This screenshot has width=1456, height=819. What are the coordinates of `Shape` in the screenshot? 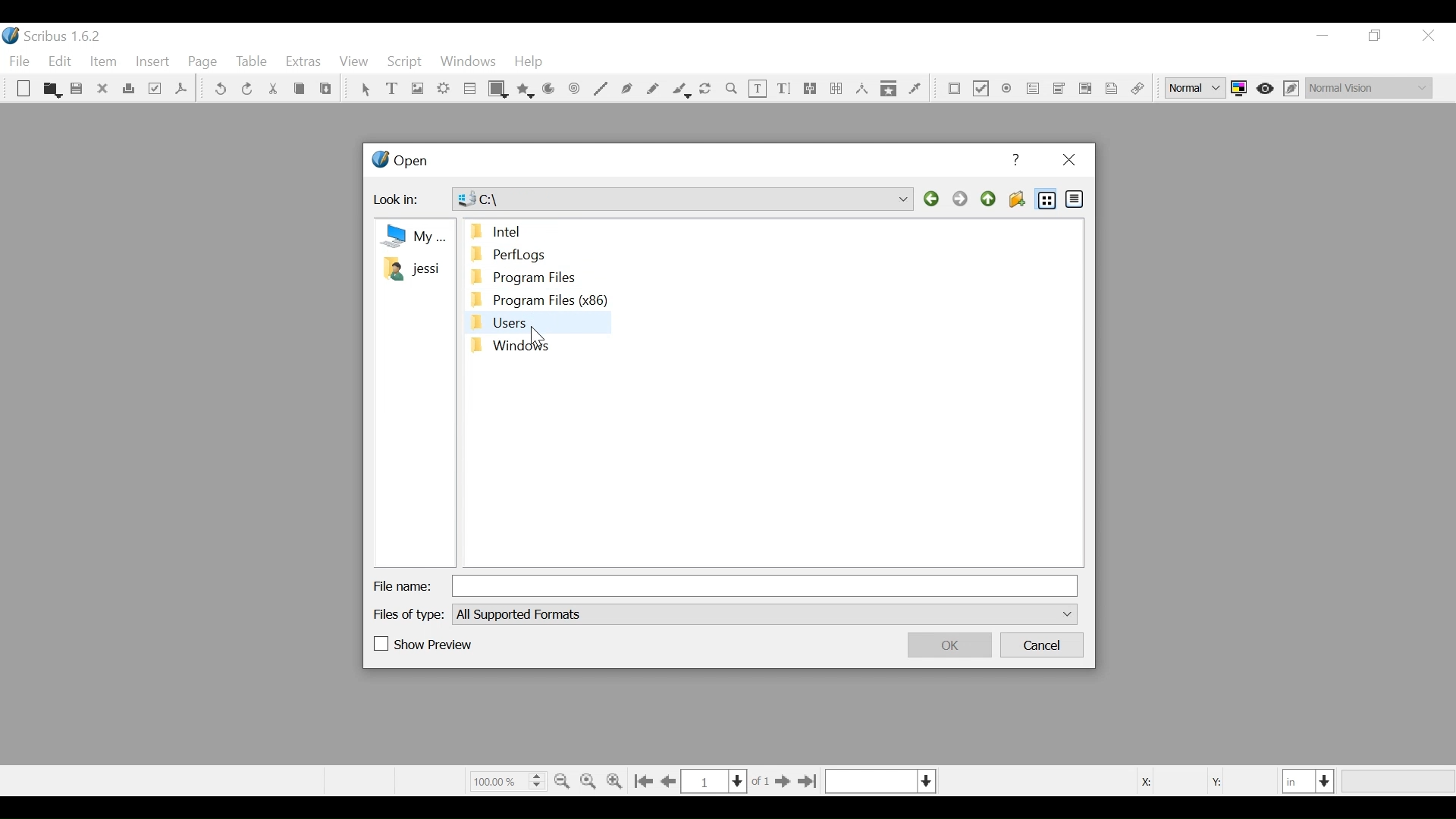 It's located at (499, 89).